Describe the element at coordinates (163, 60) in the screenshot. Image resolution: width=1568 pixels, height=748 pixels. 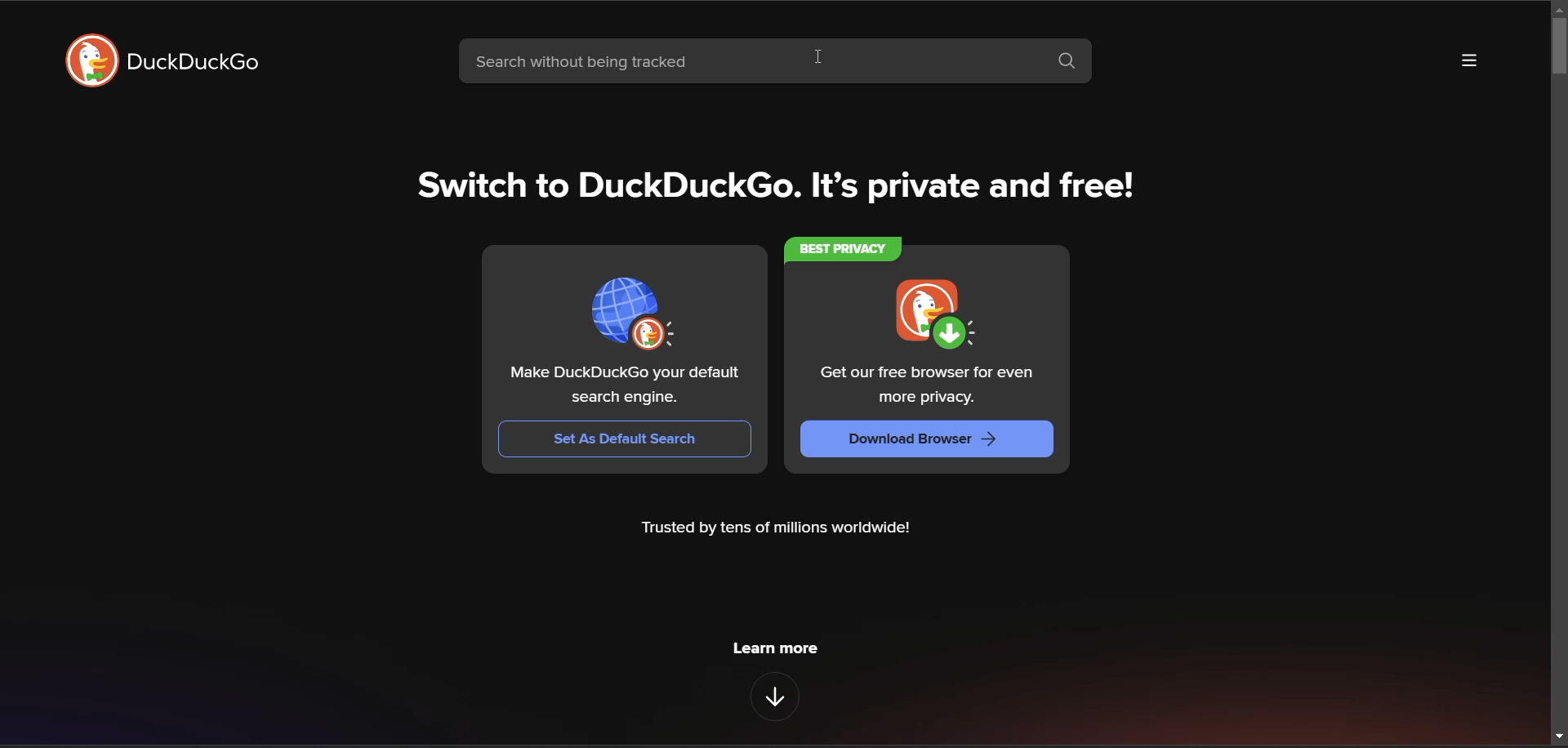
I see `logo and title` at that location.